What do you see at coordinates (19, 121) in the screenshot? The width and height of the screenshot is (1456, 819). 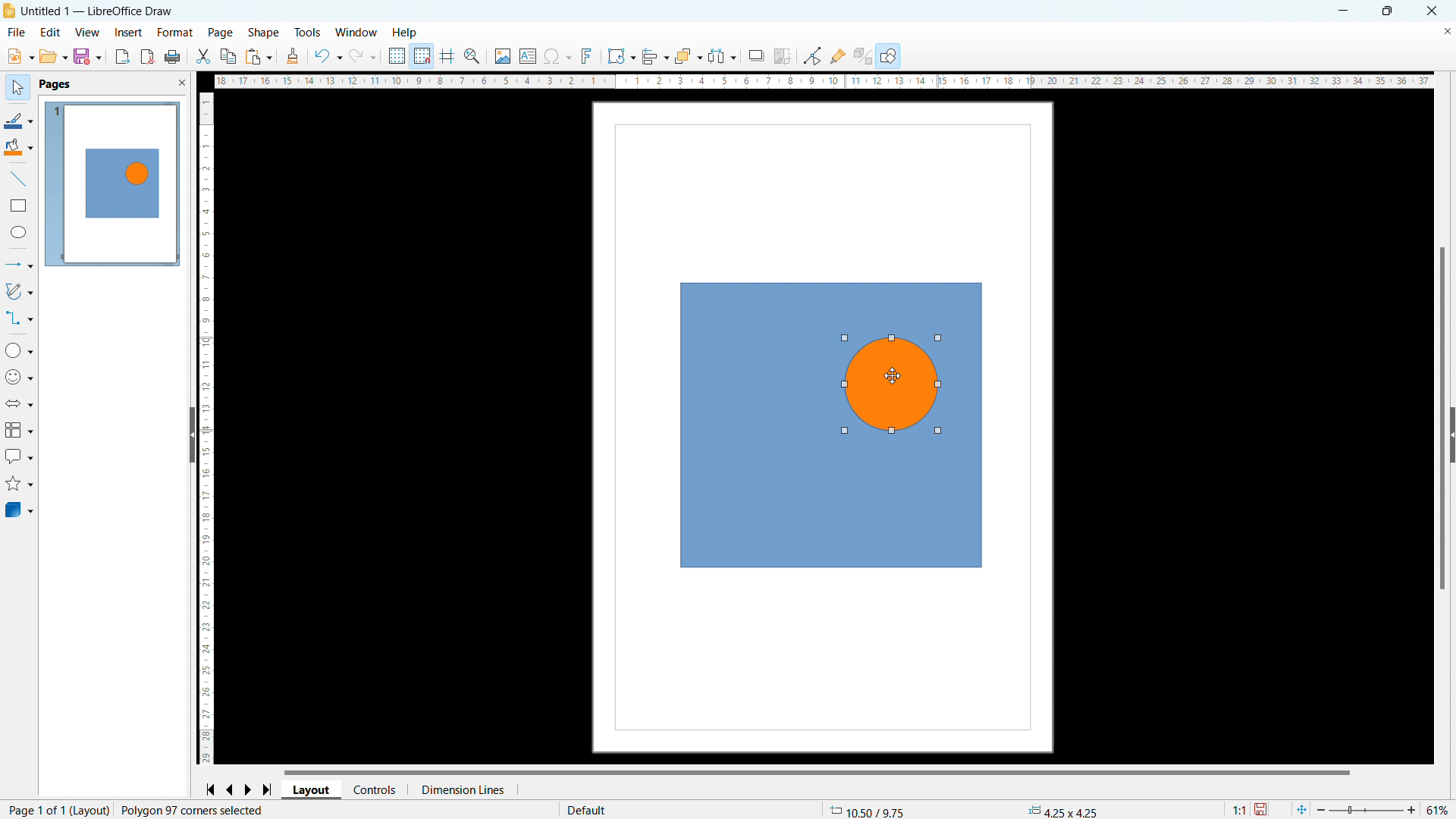 I see `line color` at bounding box center [19, 121].